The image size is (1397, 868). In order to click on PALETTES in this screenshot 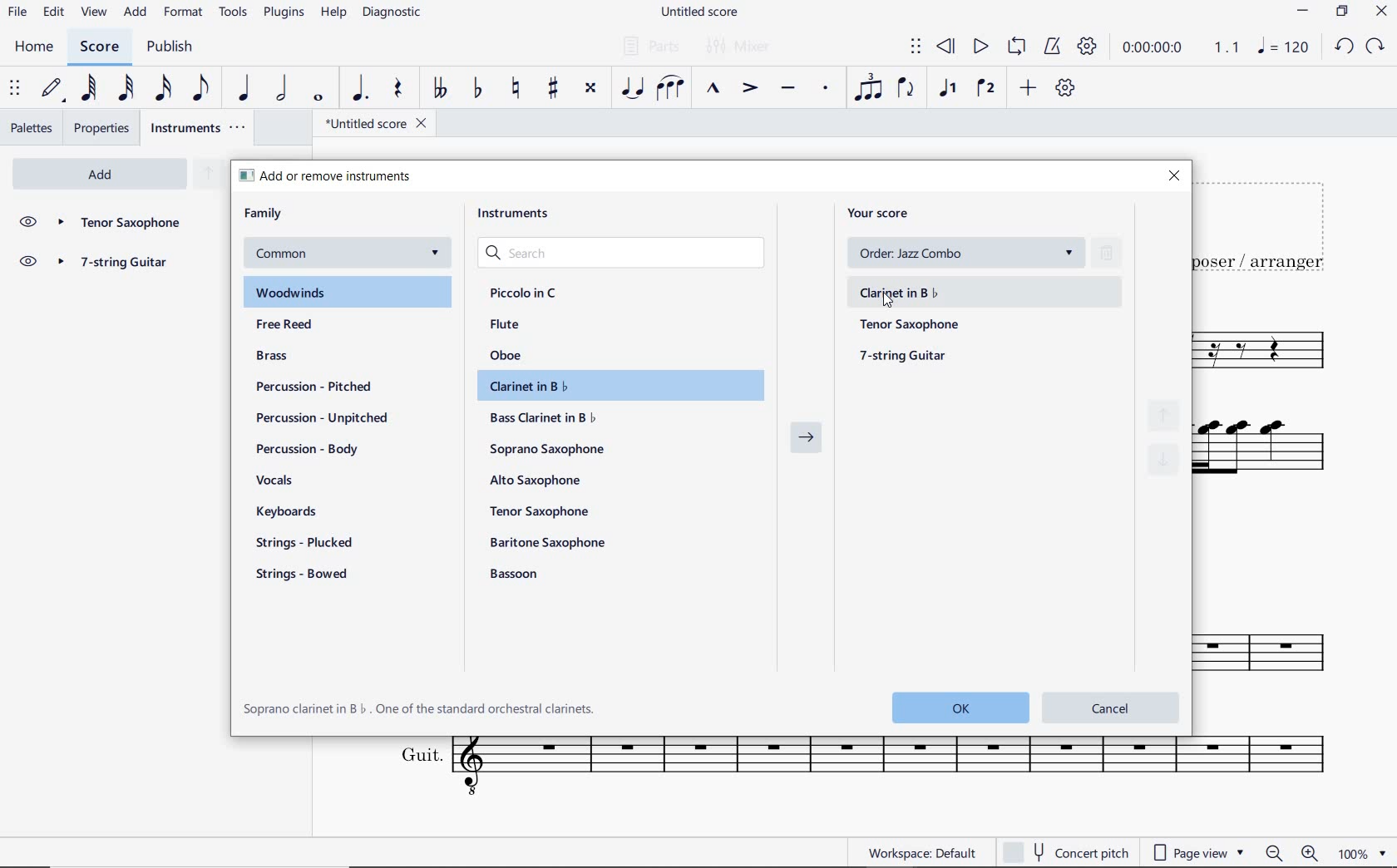, I will do `click(31, 126)`.